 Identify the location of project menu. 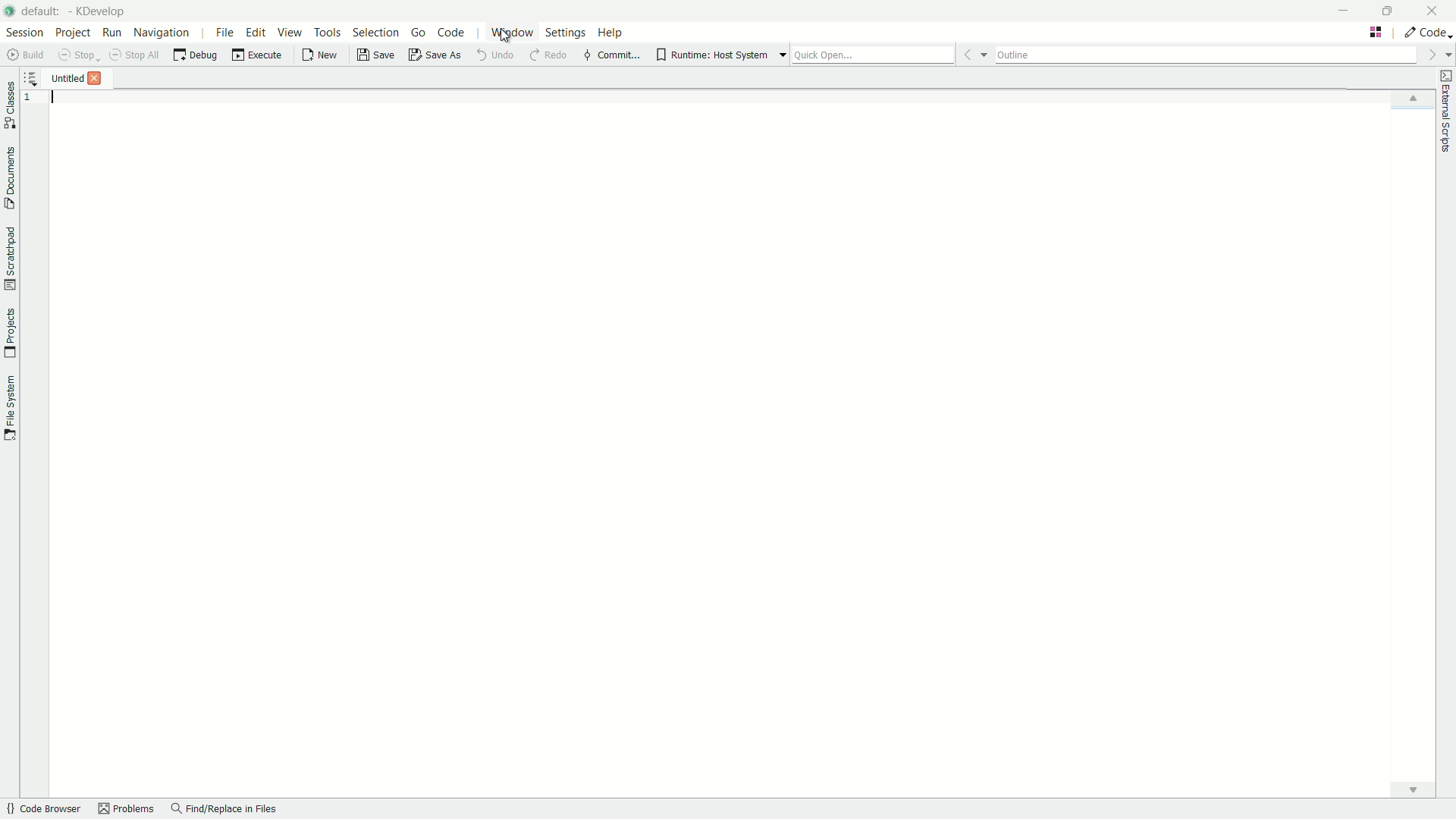
(74, 33).